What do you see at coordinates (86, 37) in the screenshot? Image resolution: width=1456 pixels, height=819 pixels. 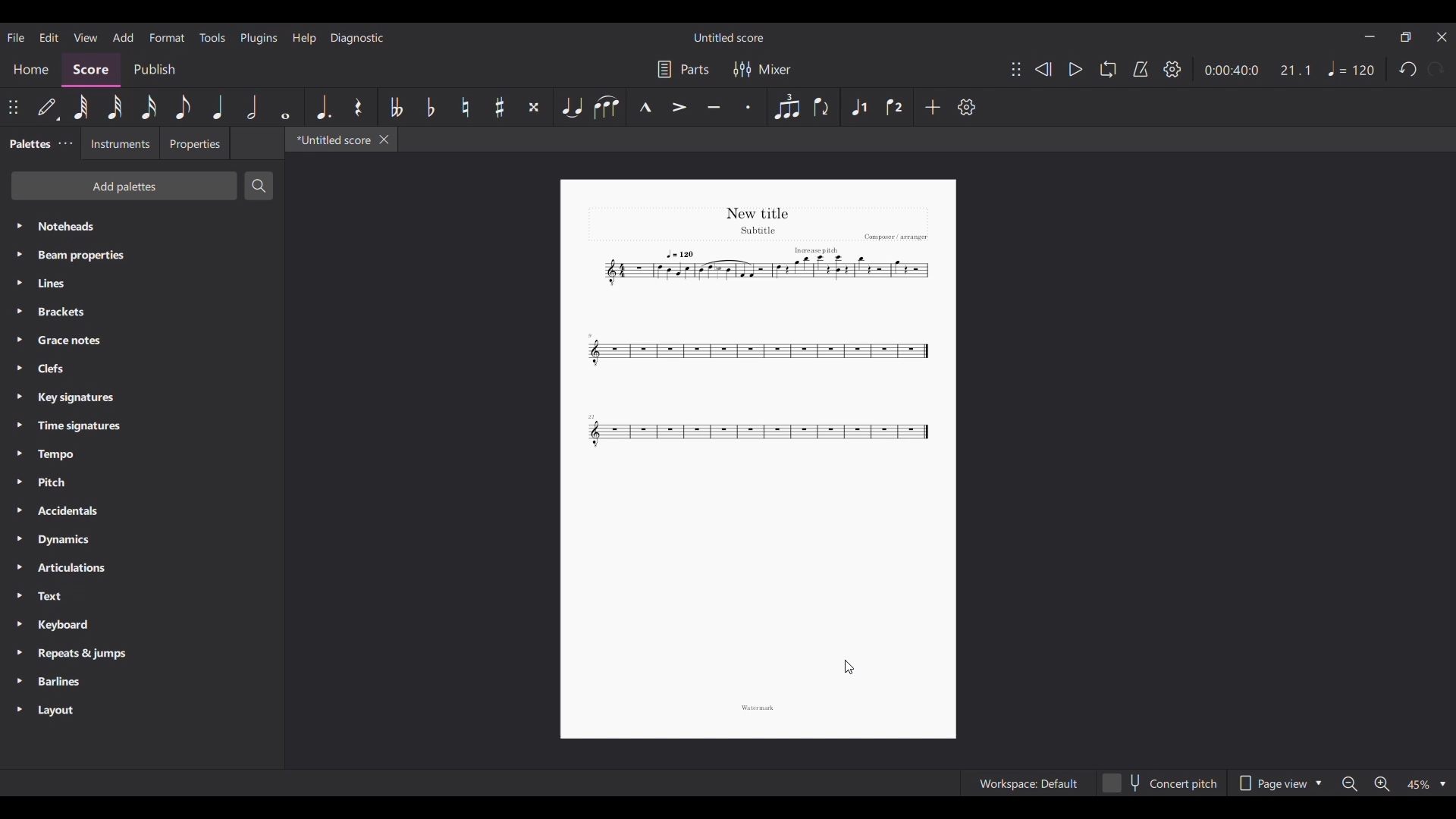 I see `View menu` at bounding box center [86, 37].